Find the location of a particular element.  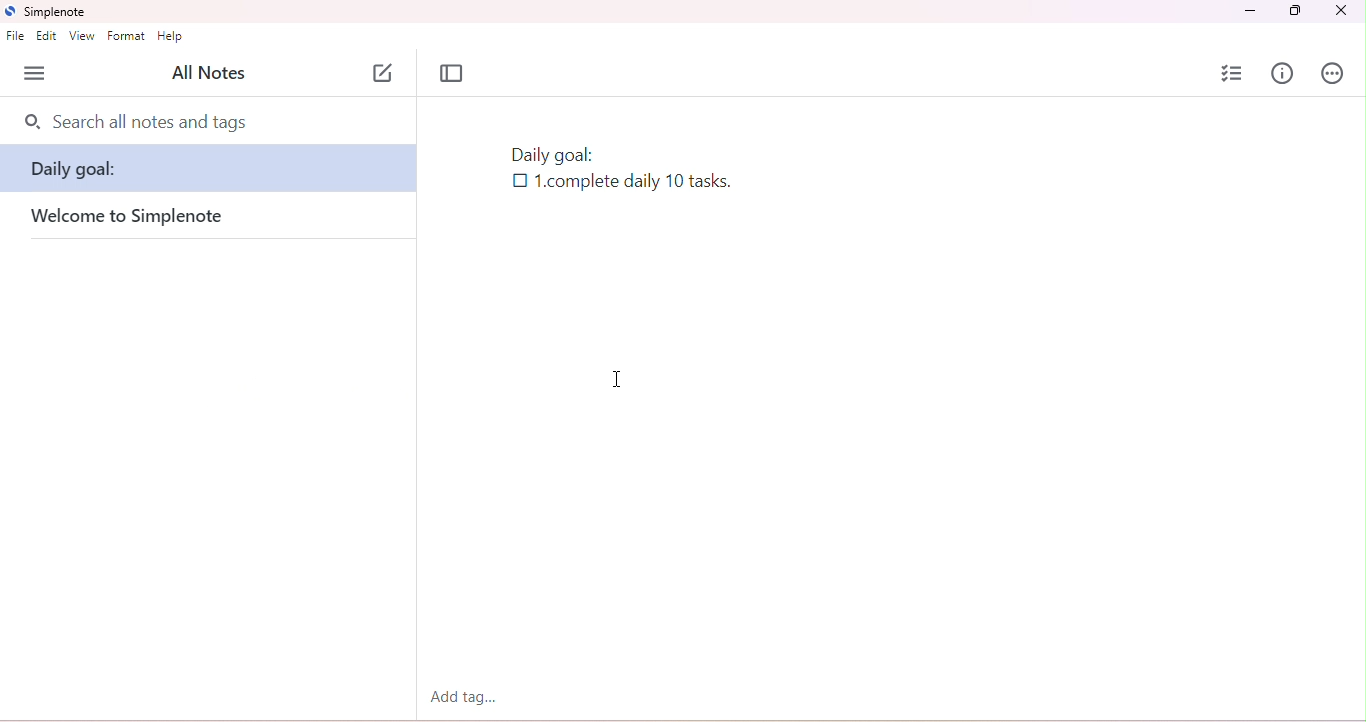

actions is located at coordinates (1334, 73).